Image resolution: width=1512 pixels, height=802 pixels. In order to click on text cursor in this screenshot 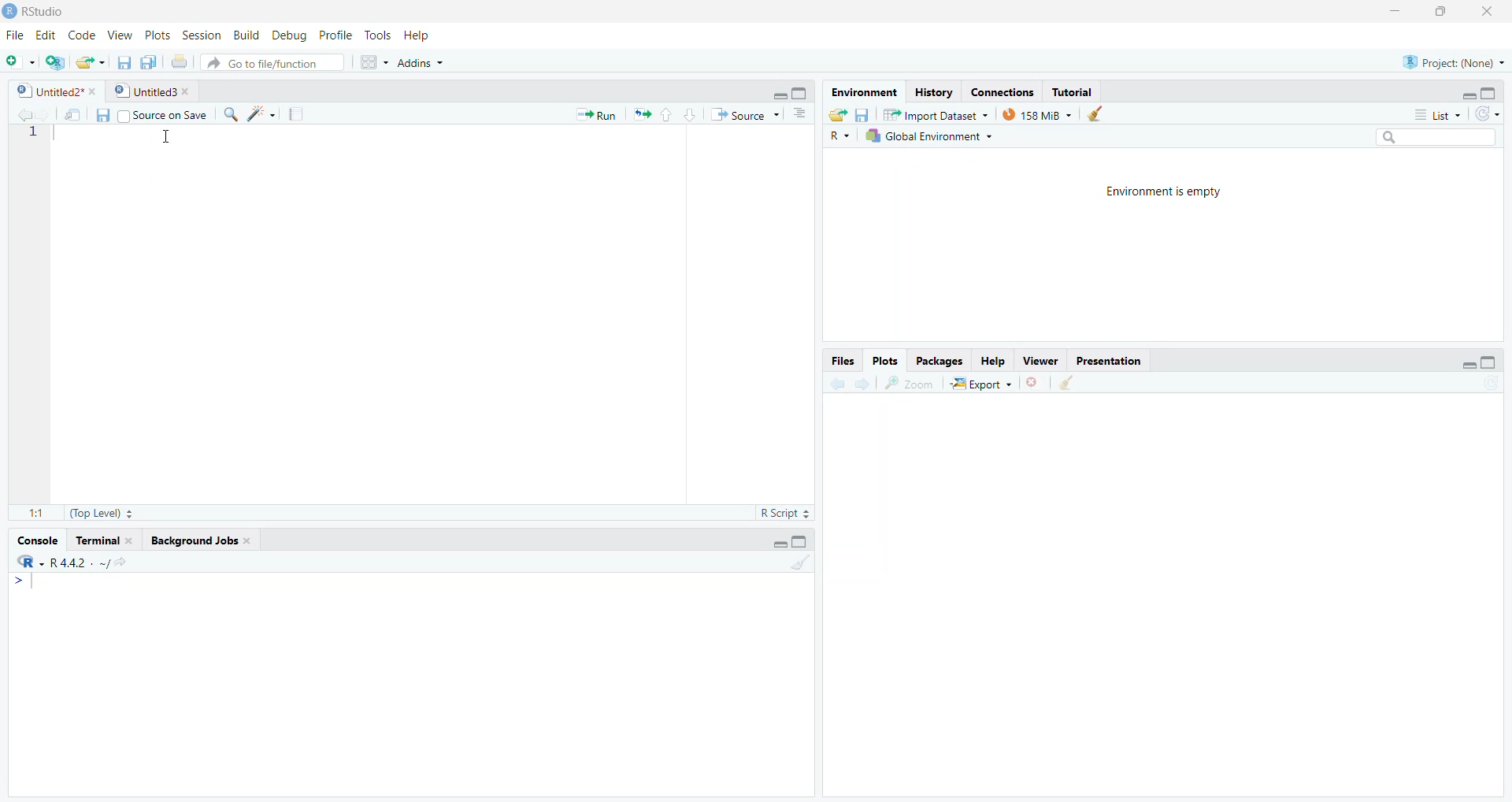, I will do `click(162, 139)`.